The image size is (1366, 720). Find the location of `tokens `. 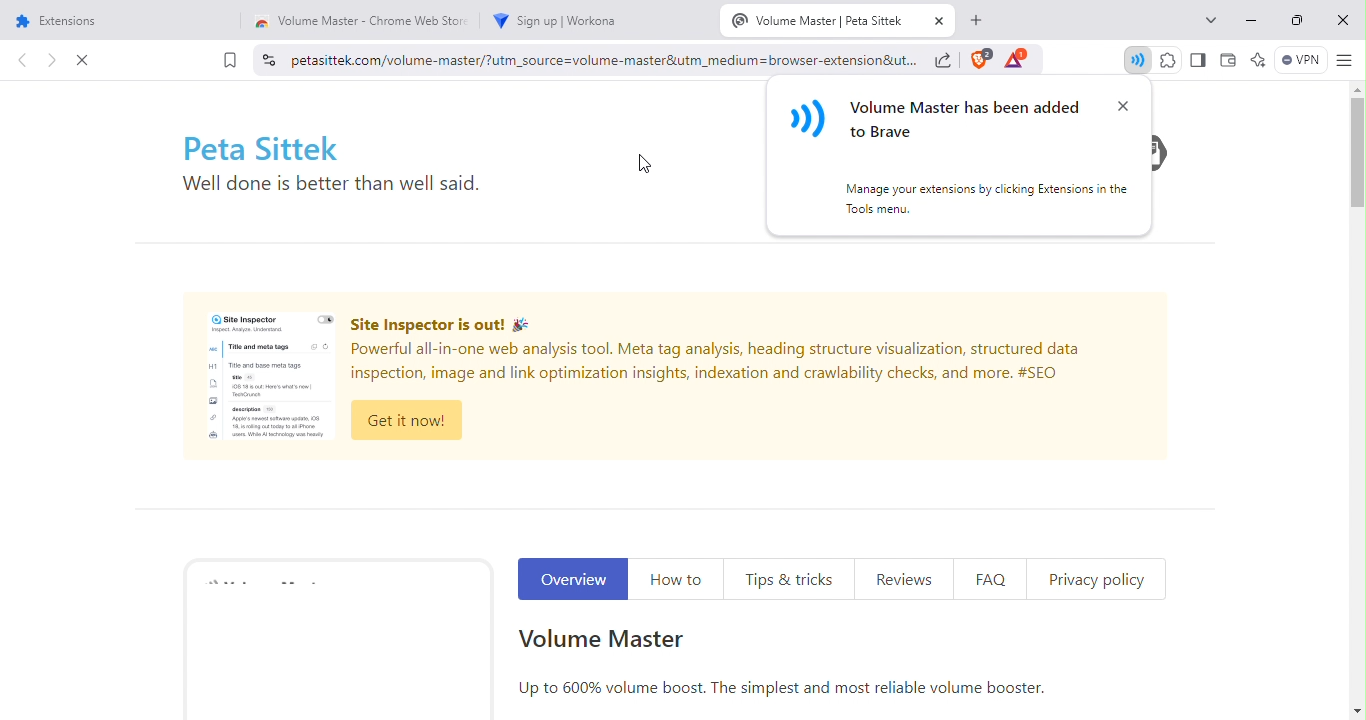

tokens  is located at coordinates (1019, 58).